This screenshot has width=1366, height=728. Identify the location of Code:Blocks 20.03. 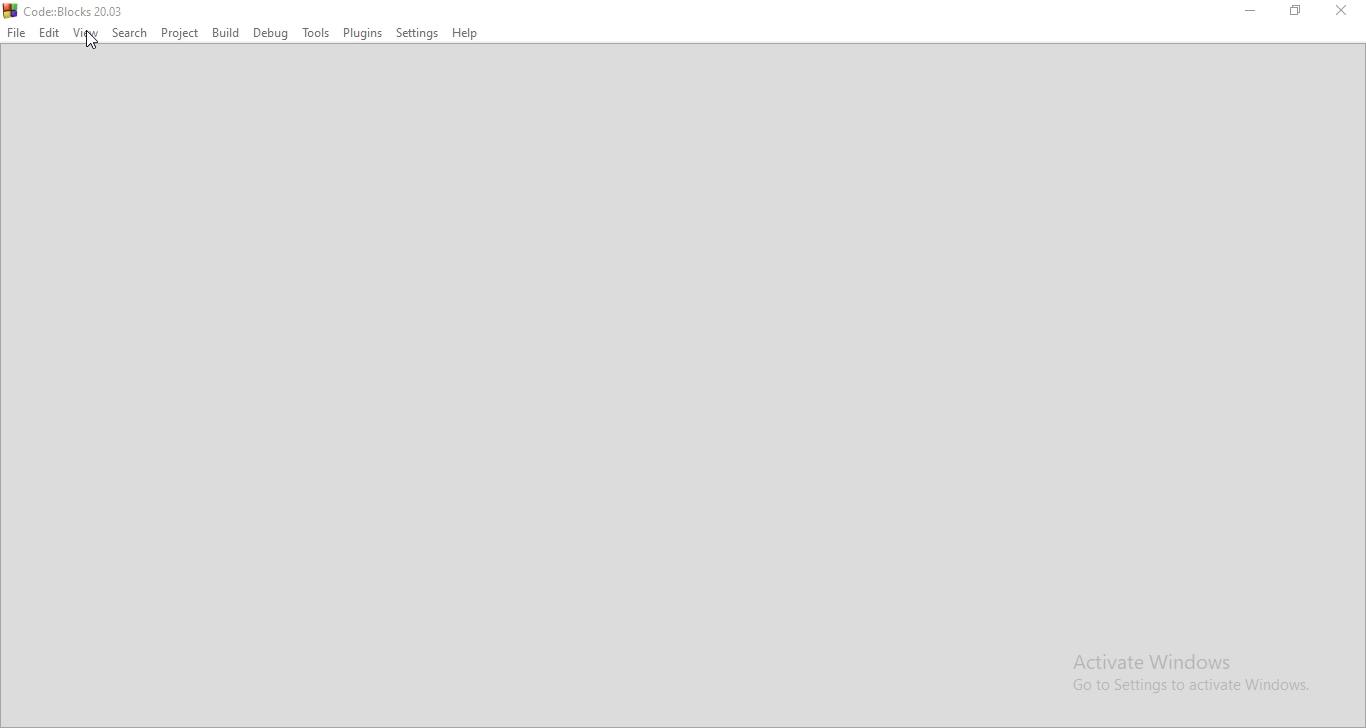
(73, 12).